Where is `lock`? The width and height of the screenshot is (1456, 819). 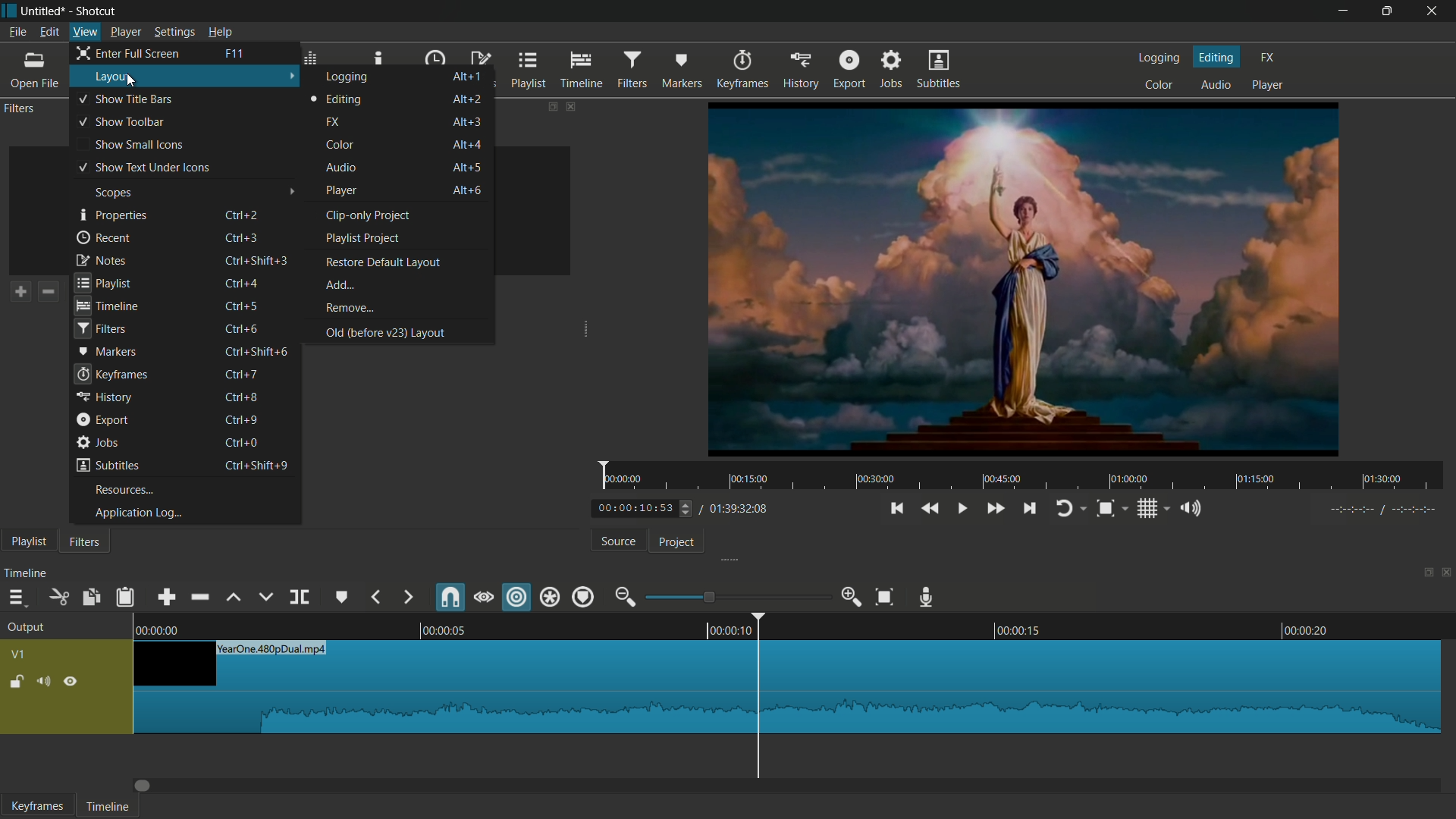 lock is located at coordinates (16, 683).